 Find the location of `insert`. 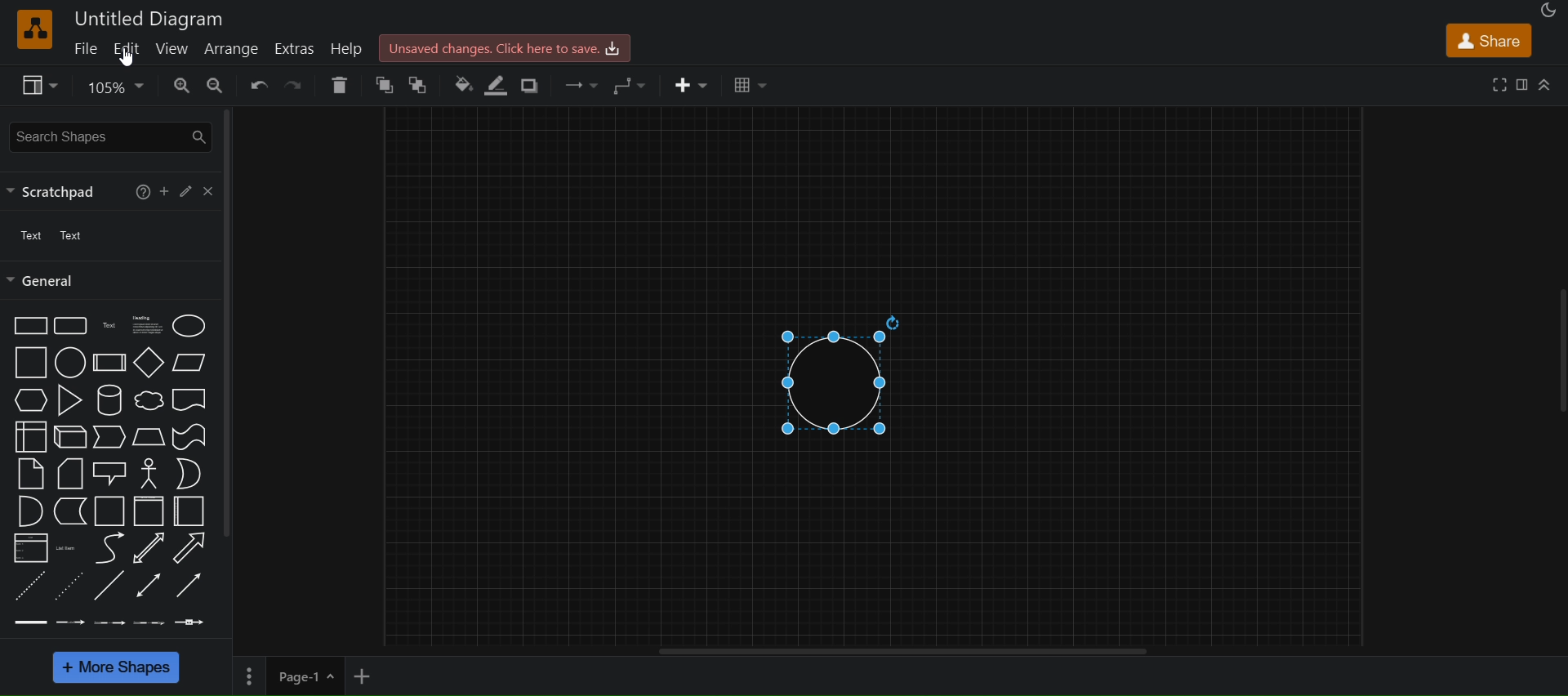

insert is located at coordinates (688, 83).